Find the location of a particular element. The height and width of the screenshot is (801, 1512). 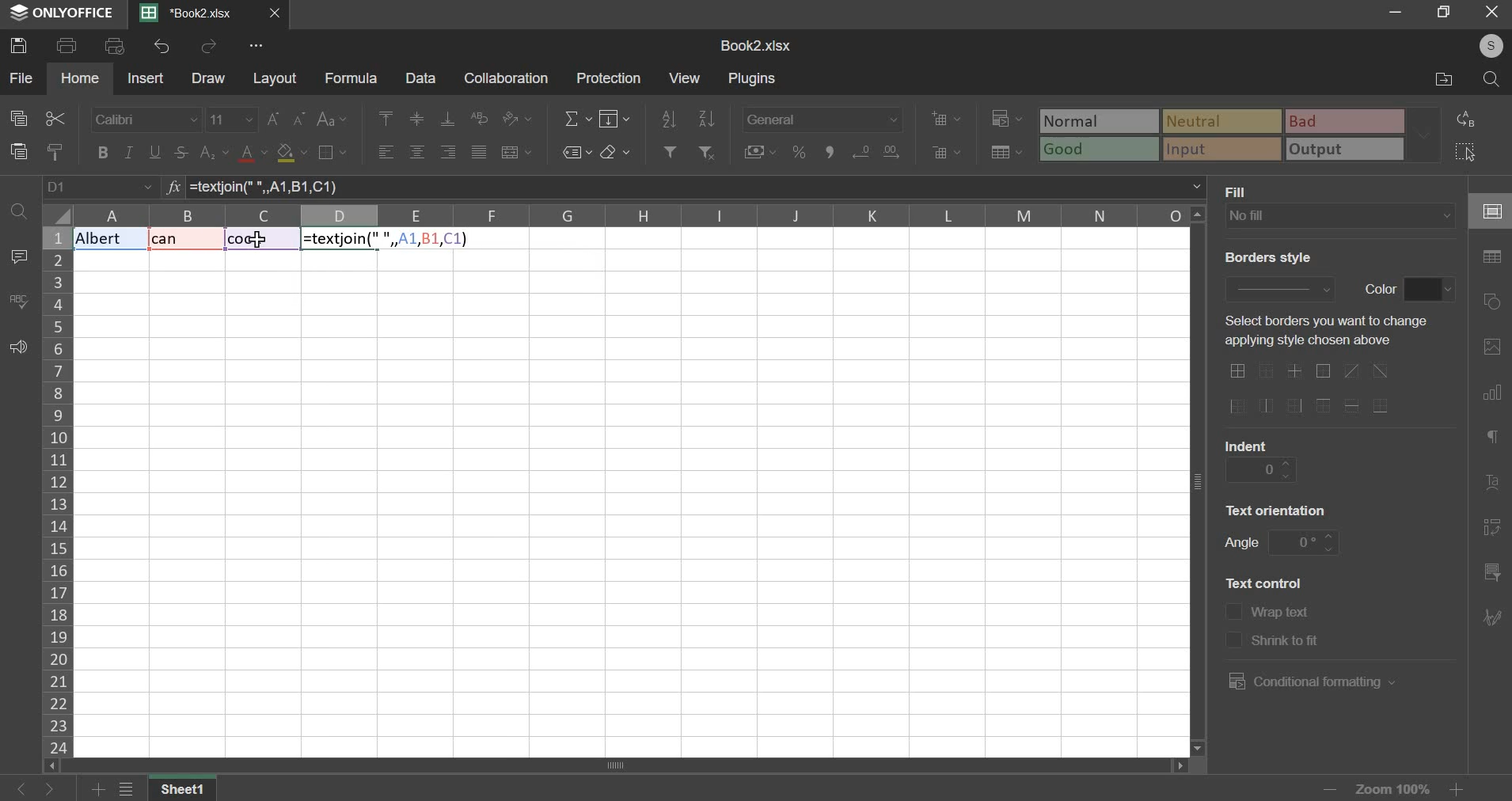

data is located at coordinates (420, 78).